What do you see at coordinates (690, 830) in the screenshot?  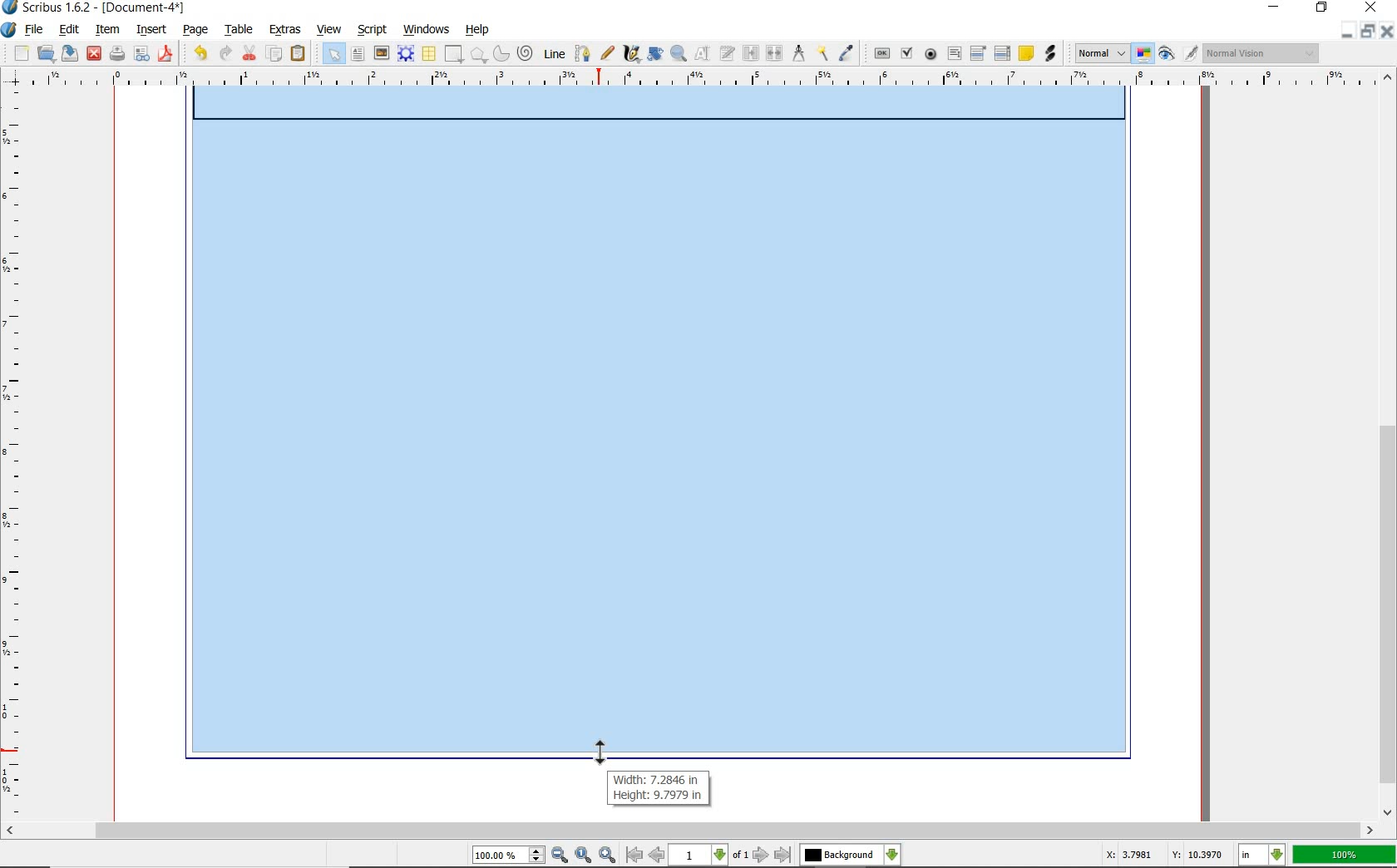 I see `scrollbar` at bounding box center [690, 830].